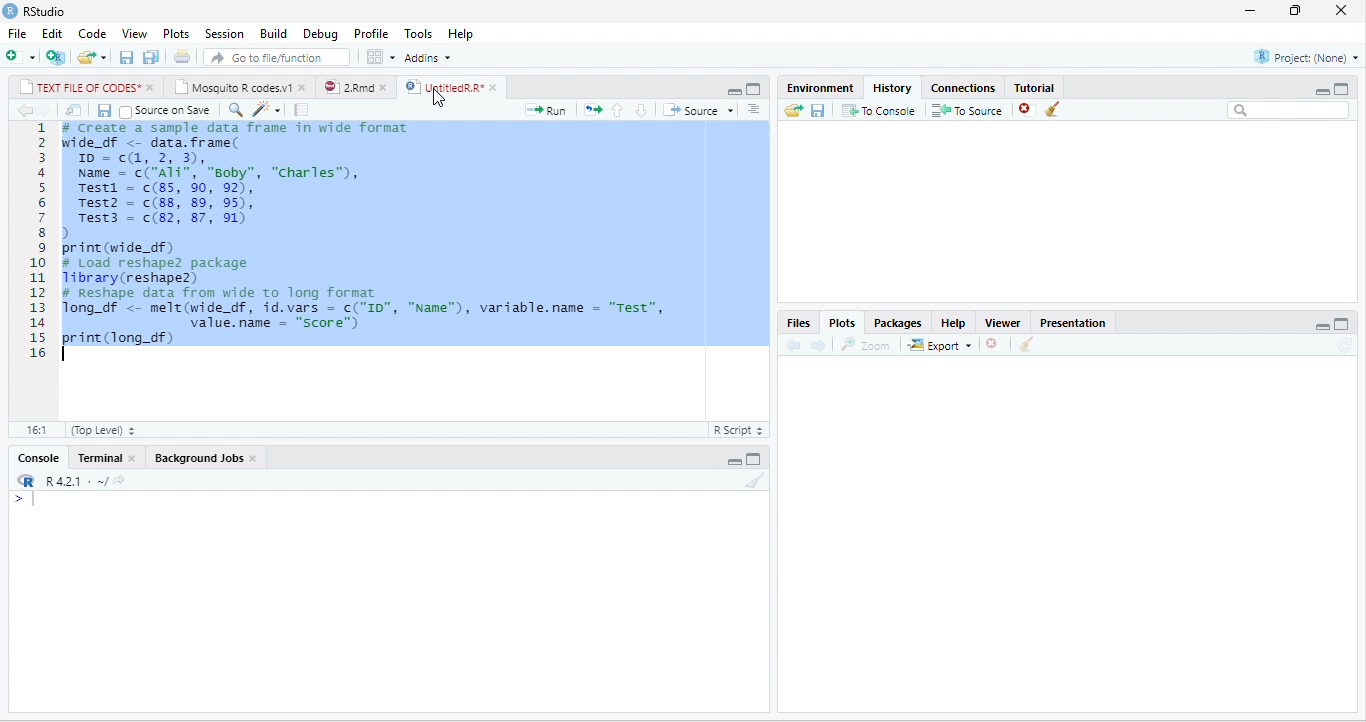 The width and height of the screenshot is (1366, 722). What do you see at coordinates (1249, 12) in the screenshot?
I see `minimize` at bounding box center [1249, 12].